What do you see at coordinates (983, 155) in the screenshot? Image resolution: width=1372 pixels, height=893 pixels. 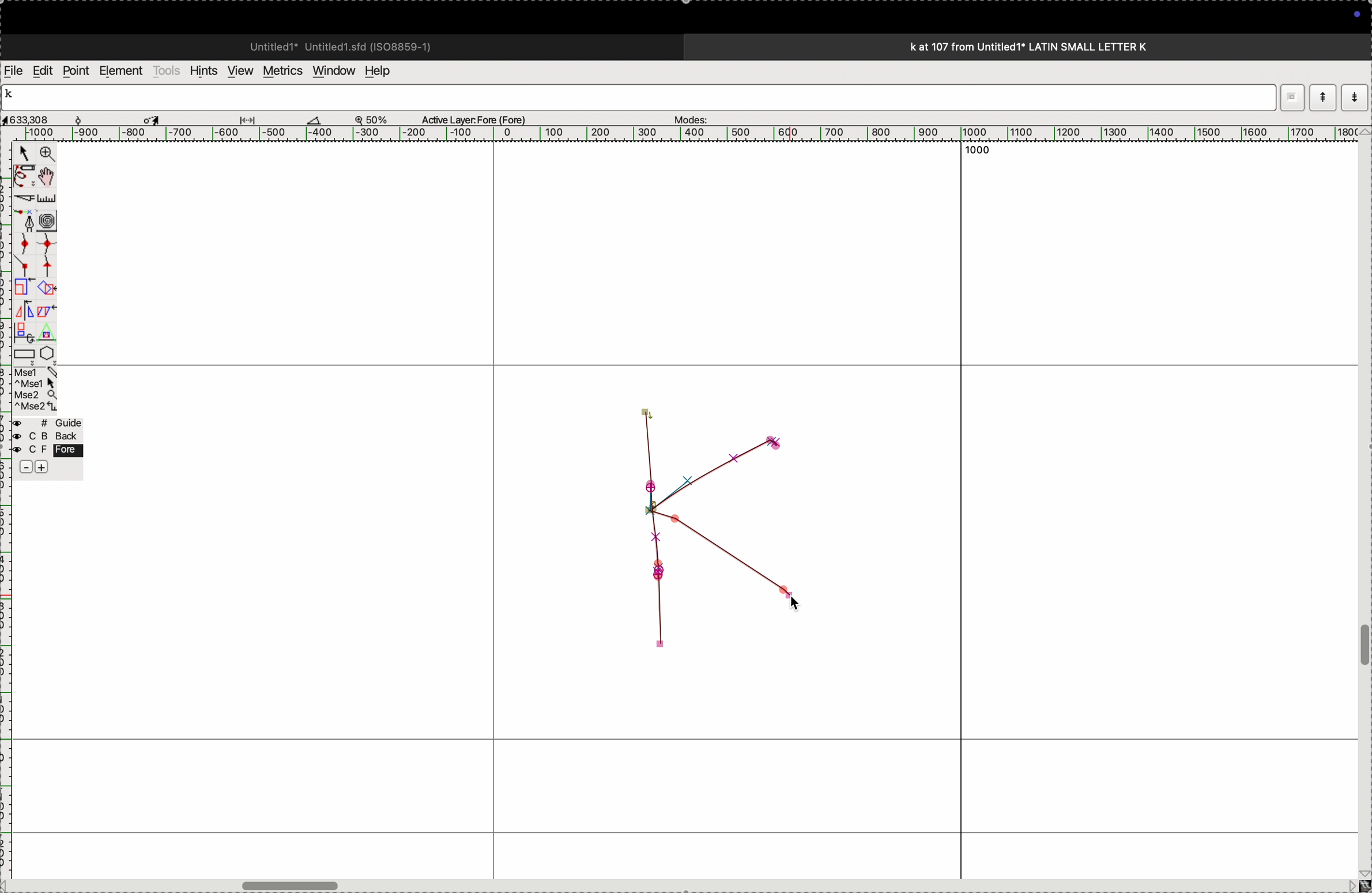 I see `1000` at bounding box center [983, 155].